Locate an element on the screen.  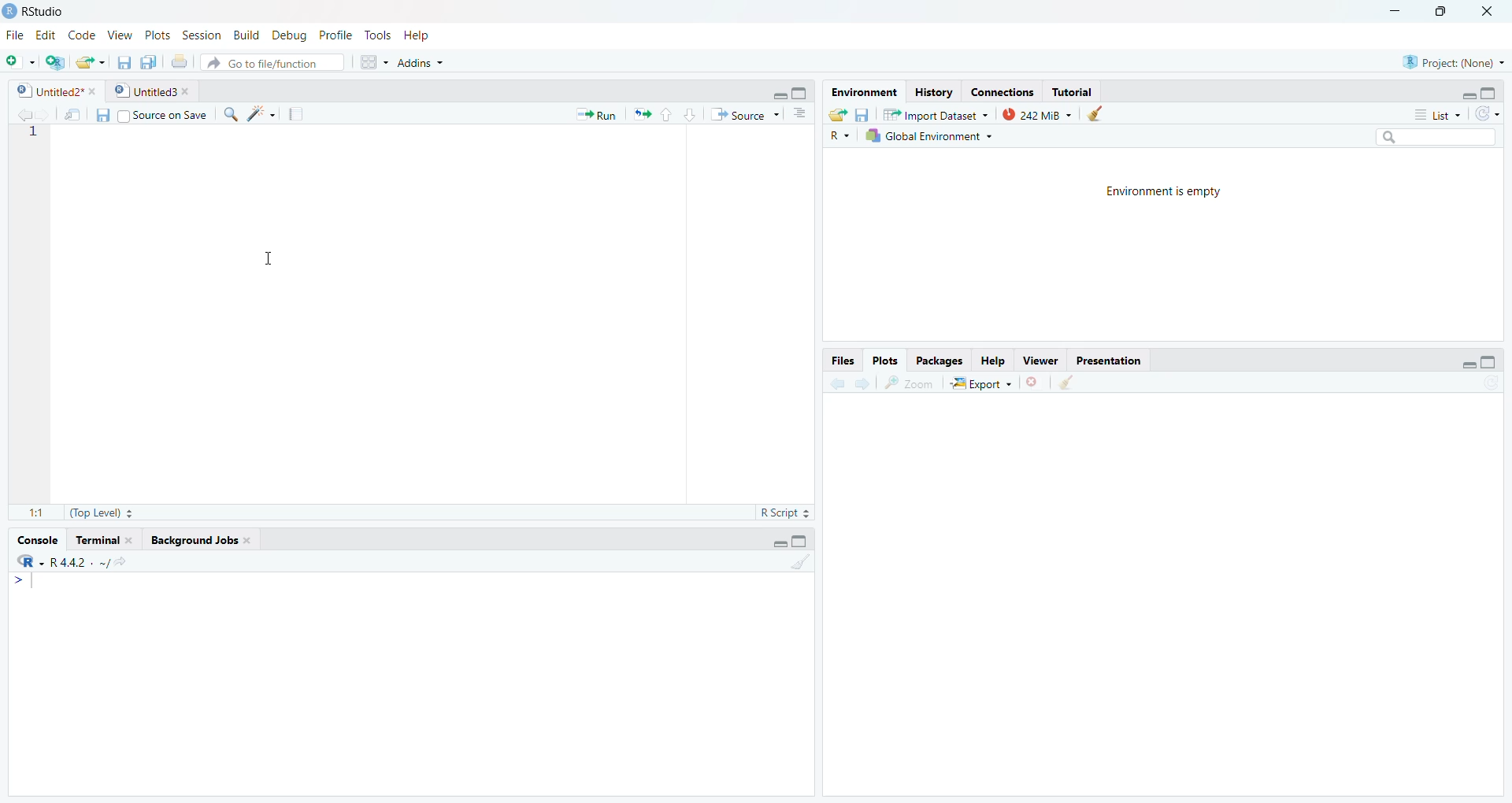
11 is located at coordinates (36, 513).